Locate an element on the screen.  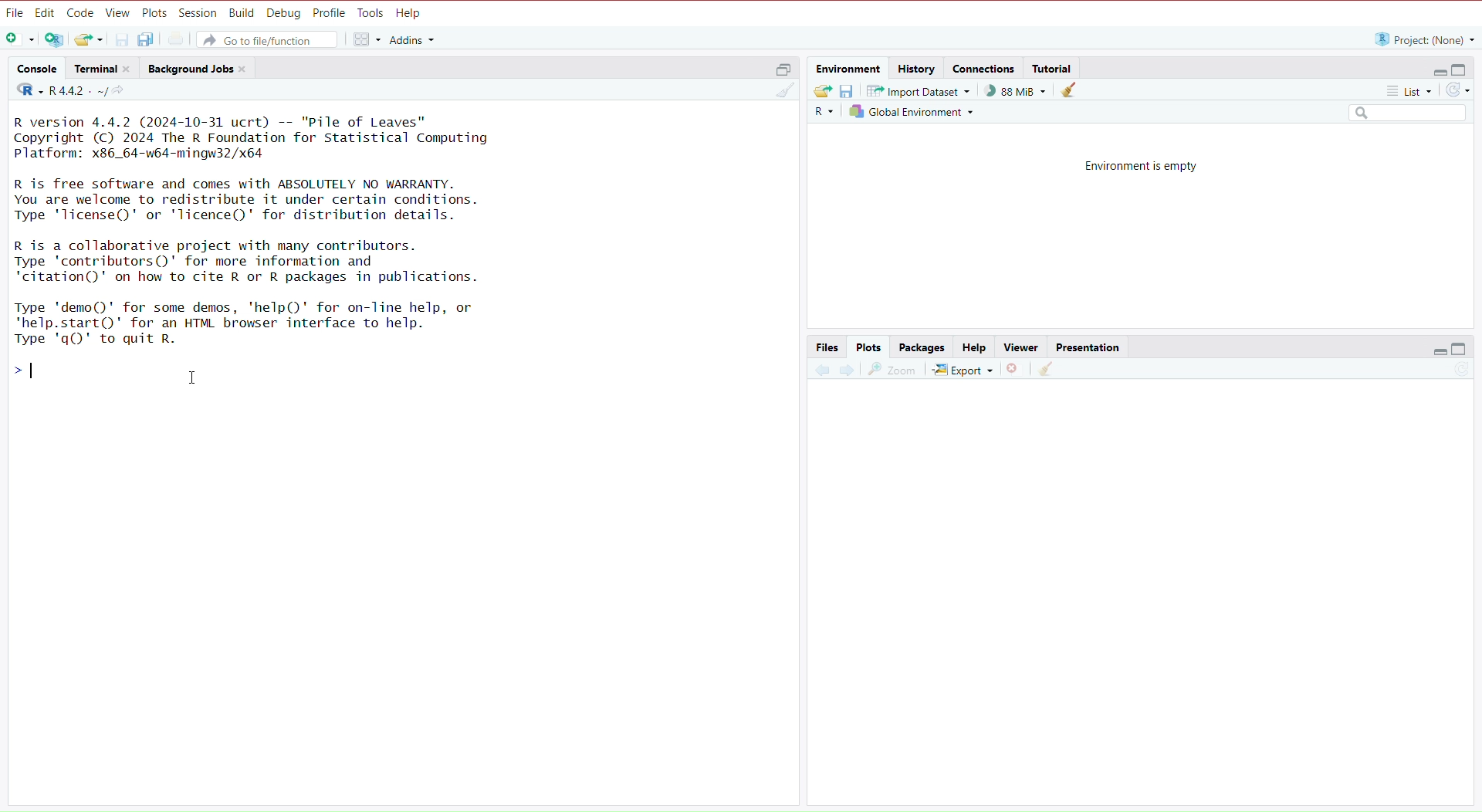
R442. ~/ is located at coordinates (69, 90).